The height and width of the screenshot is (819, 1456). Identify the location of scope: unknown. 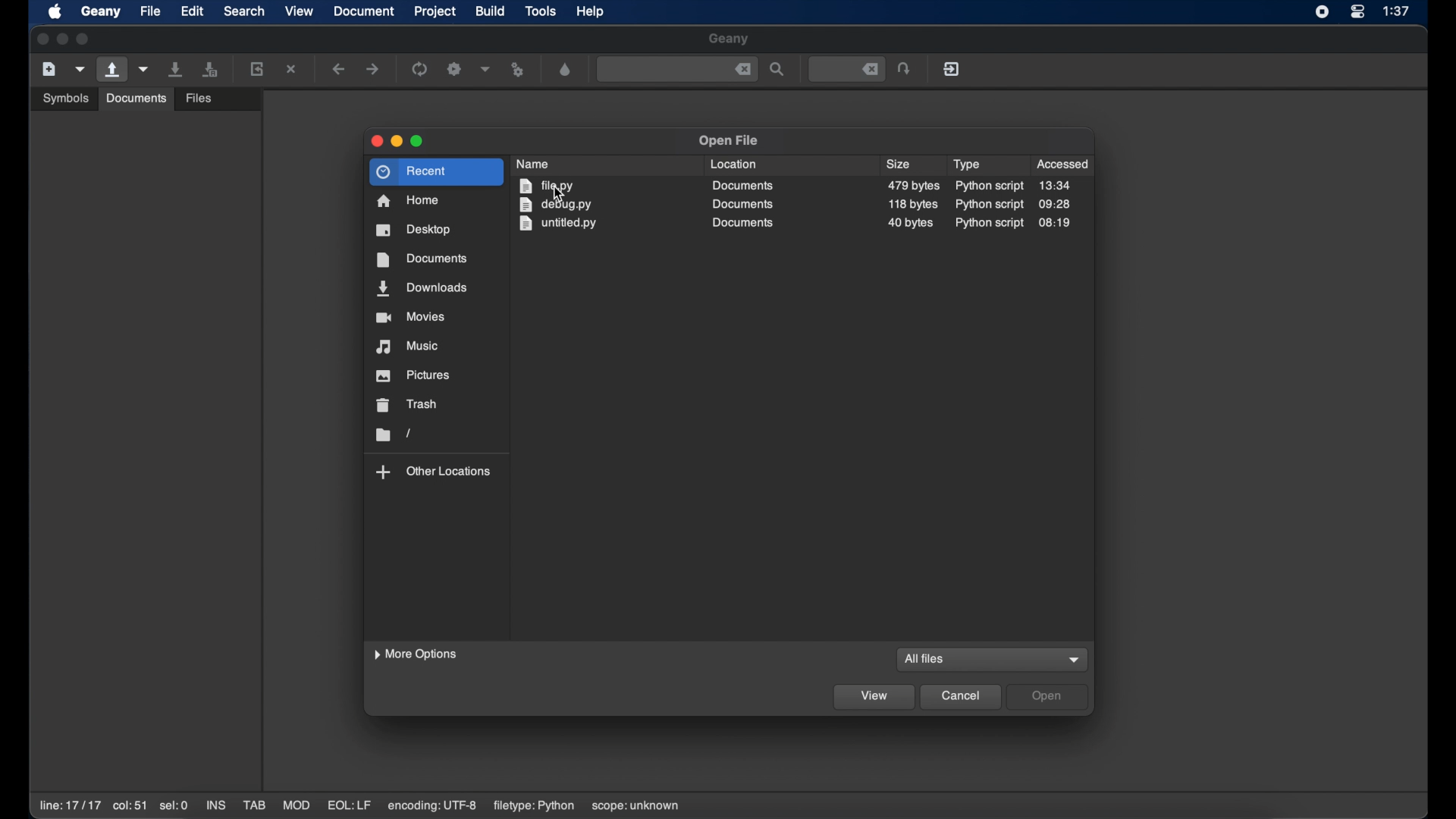
(636, 807).